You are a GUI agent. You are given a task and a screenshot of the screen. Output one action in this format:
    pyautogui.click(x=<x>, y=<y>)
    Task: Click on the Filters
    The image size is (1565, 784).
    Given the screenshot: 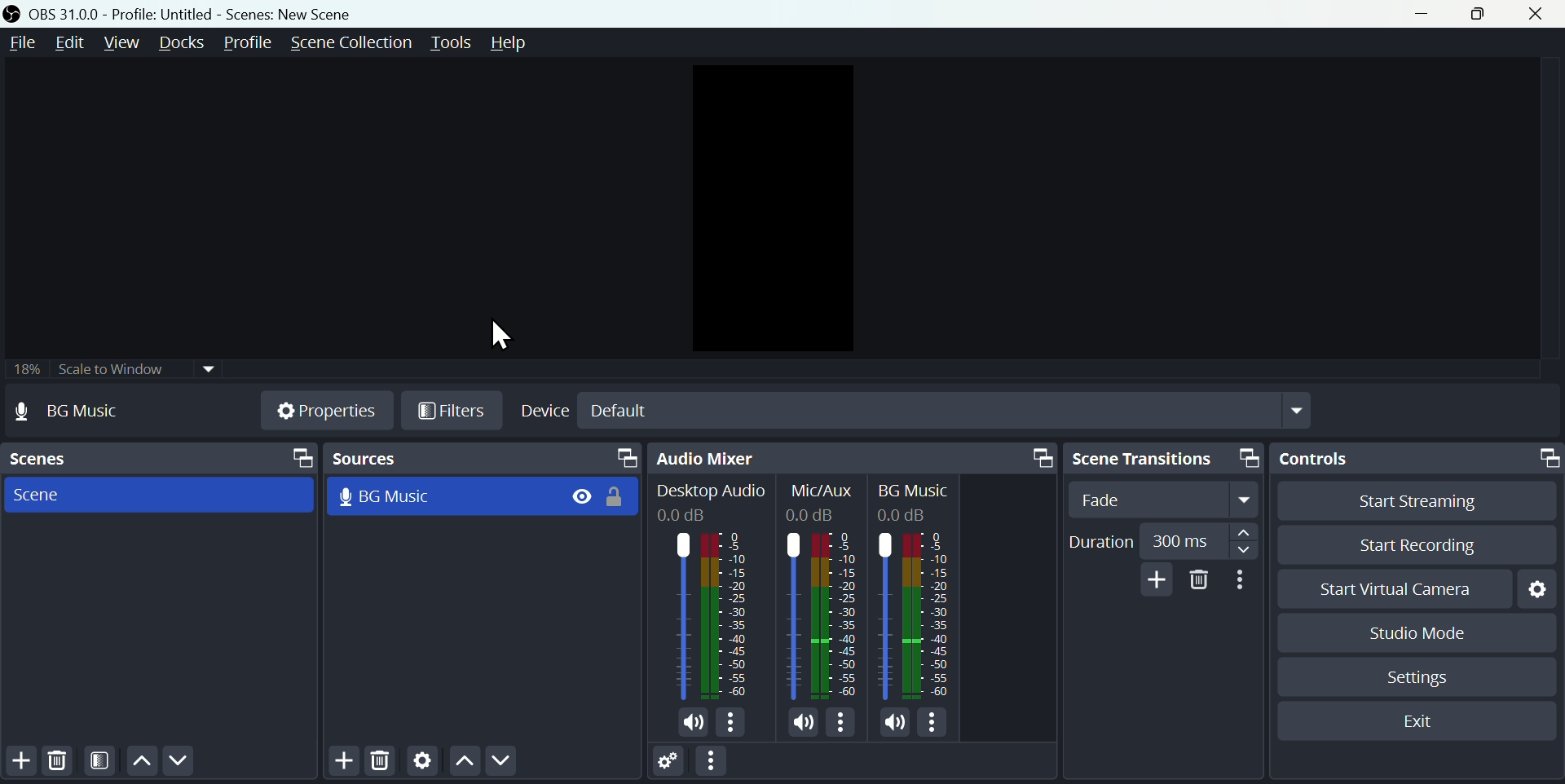 What is the action you would take?
    pyautogui.click(x=451, y=410)
    